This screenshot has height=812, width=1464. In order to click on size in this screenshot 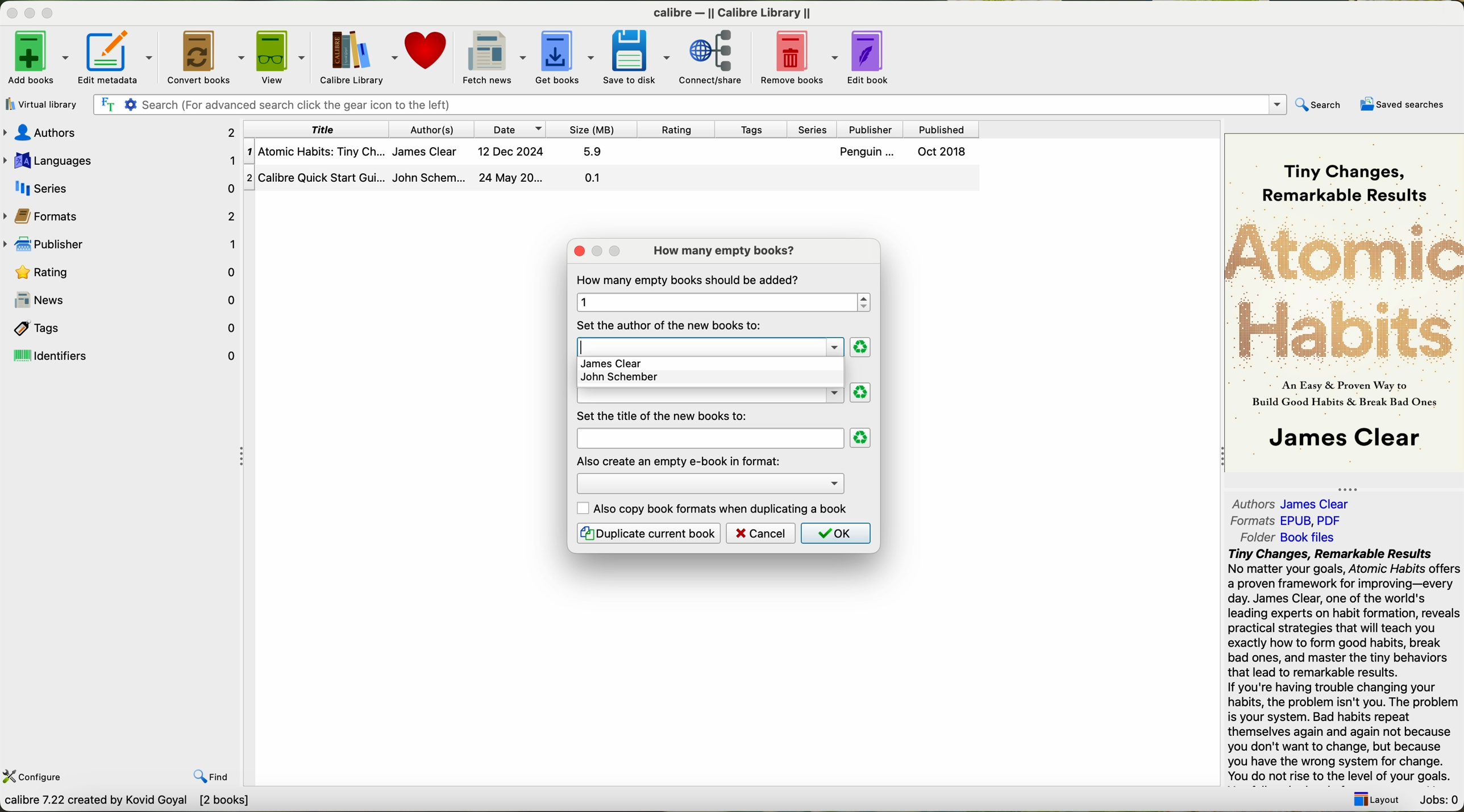, I will do `click(594, 130)`.